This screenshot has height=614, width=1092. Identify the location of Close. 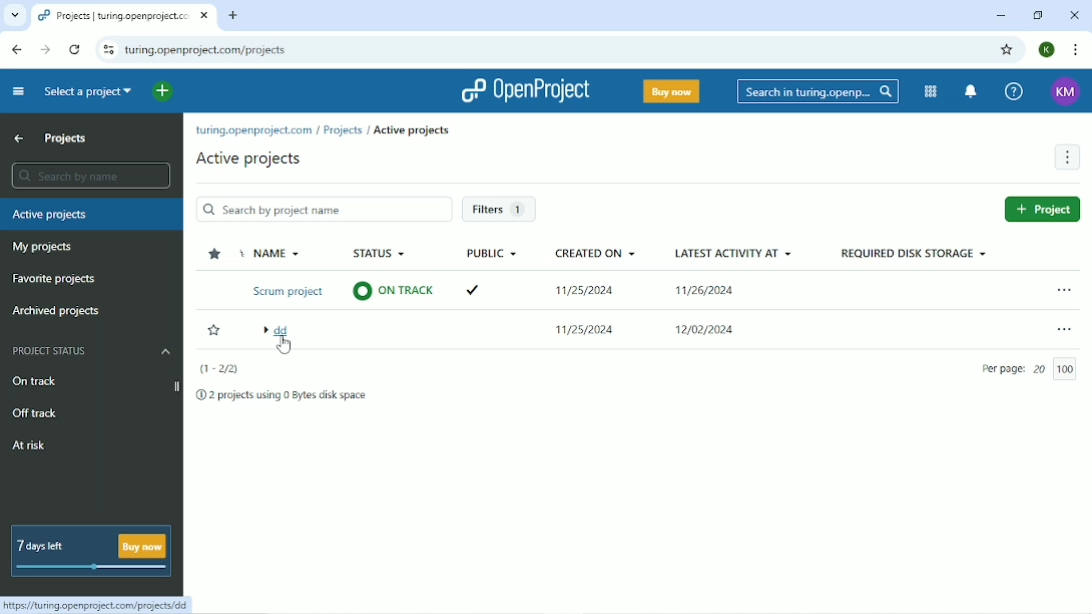
(1074, 15).